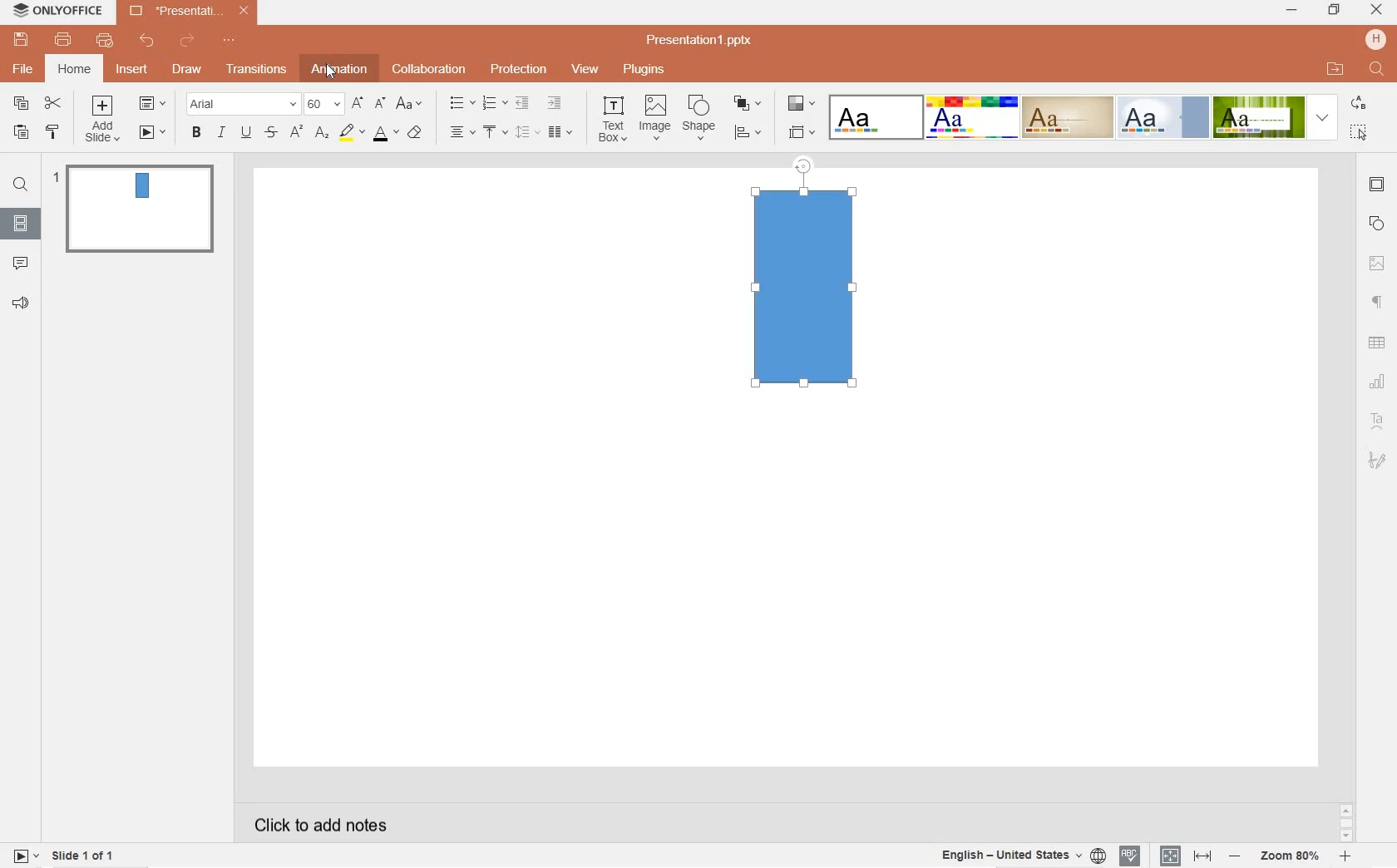 The image size is (1397, 868). What do you see at coordinates (135, 74) in the screenshot?
I see `insert` at bounding box center [135, 74].